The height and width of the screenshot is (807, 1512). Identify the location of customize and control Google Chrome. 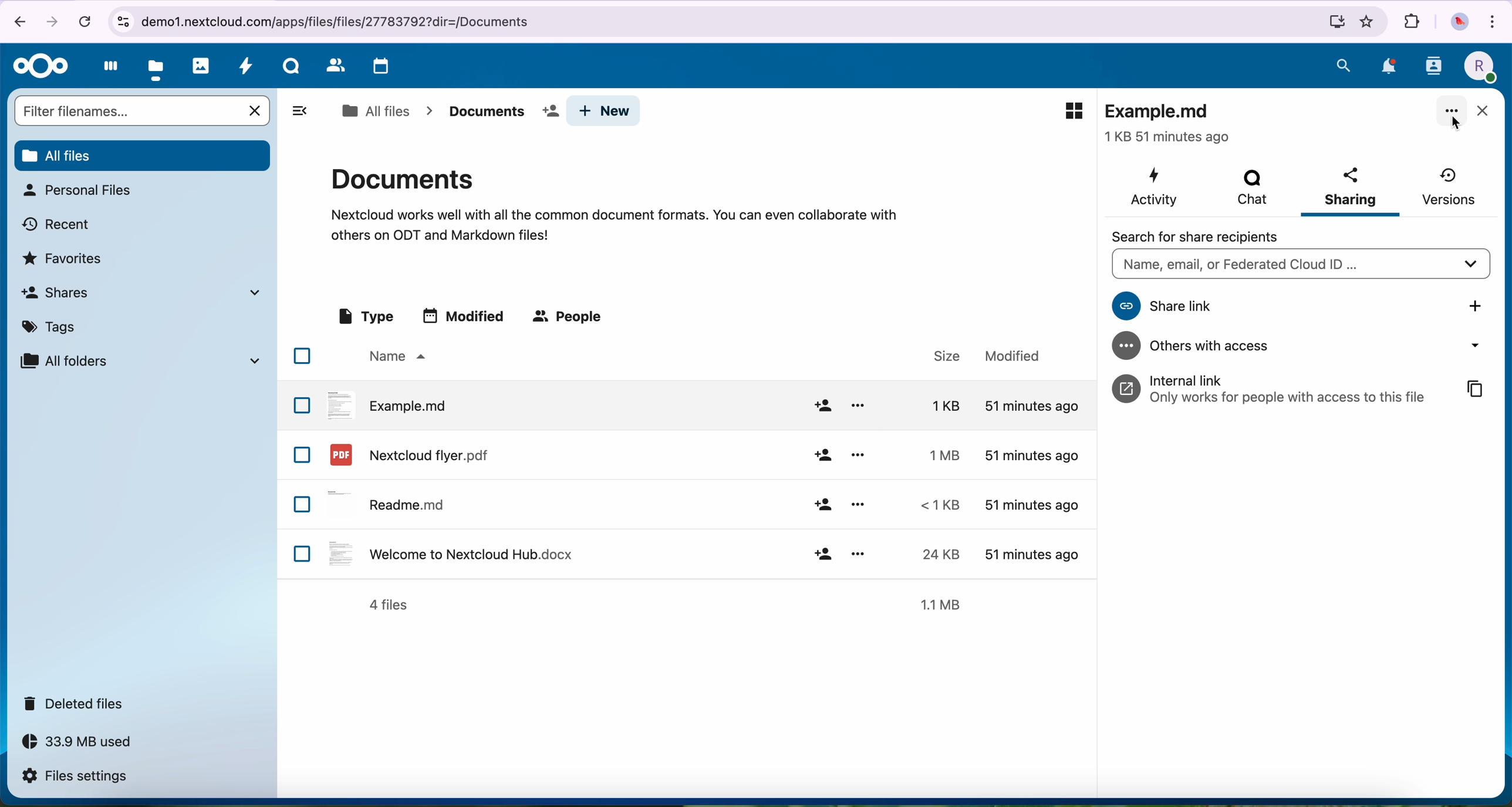
(1496, 20).